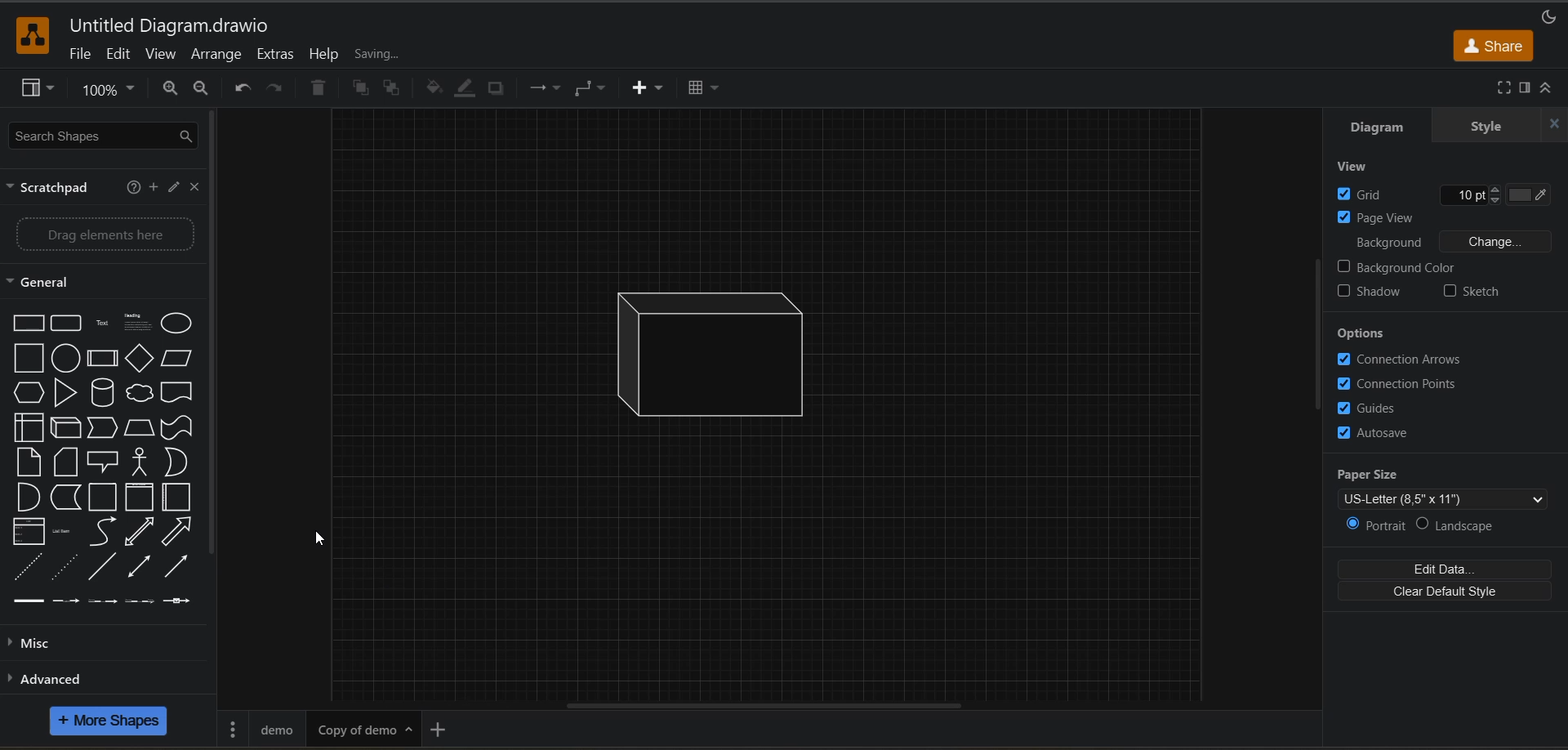  What do you see at coordinates (1450, 486) in the screenshot?
I see `paper size` at bounding box center [1450, 486].